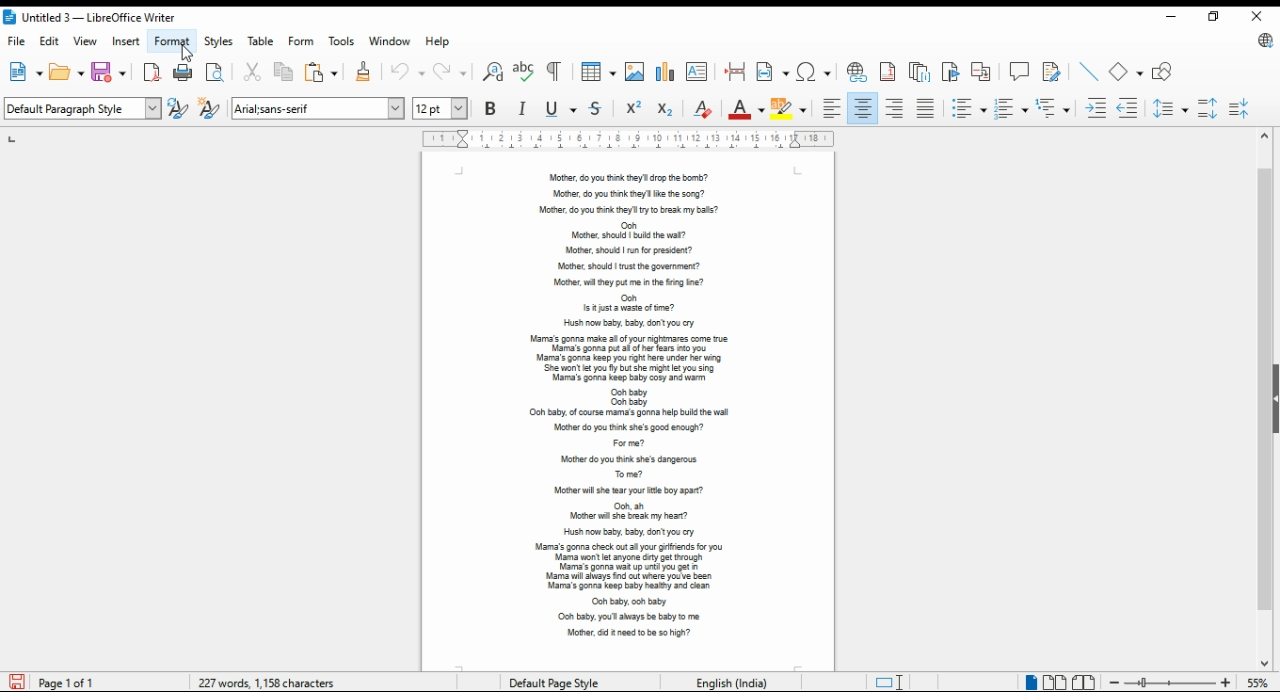  I want to click on page style, so click(549, 680).